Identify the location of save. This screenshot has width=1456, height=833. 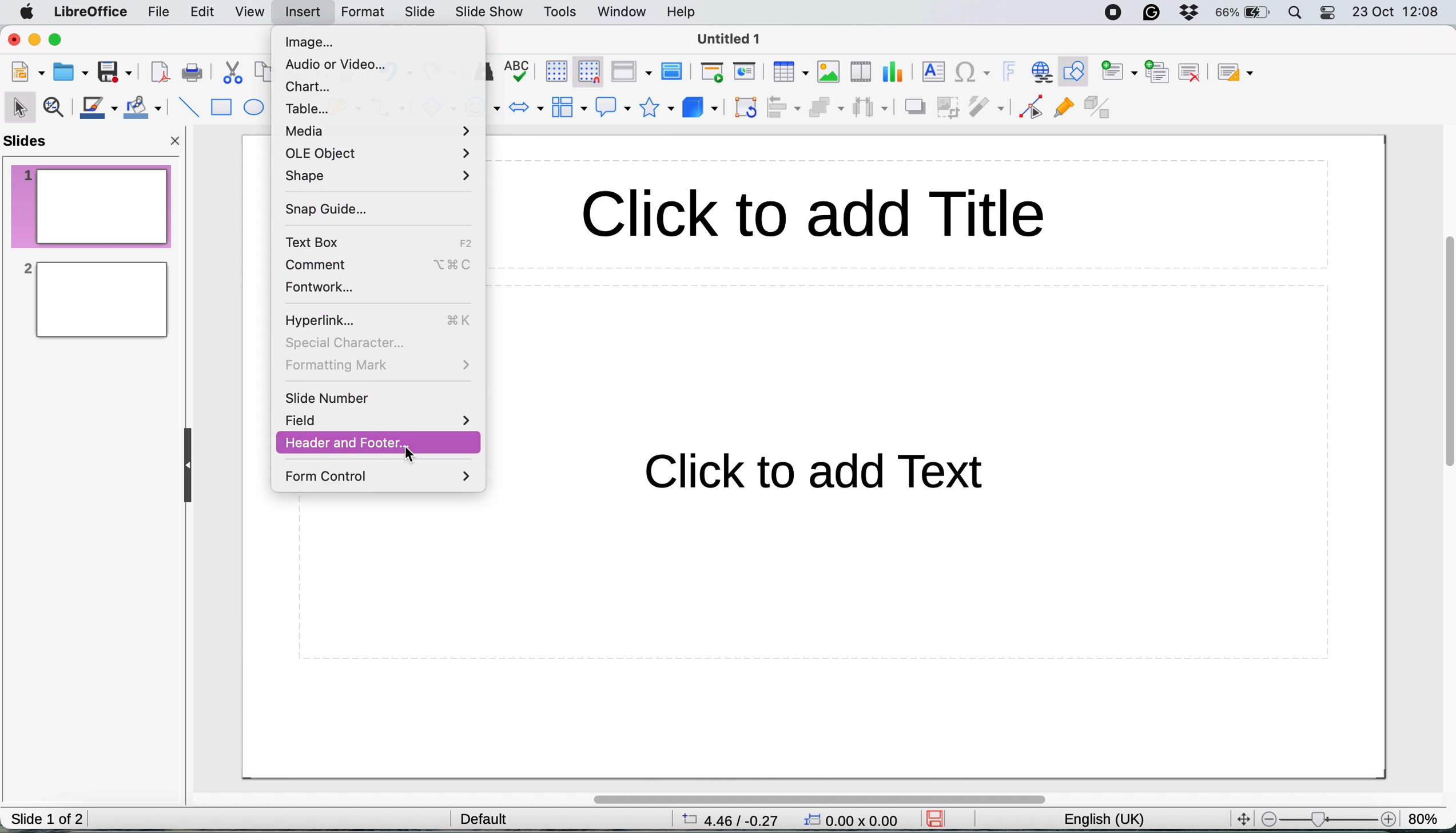
(115, 72).